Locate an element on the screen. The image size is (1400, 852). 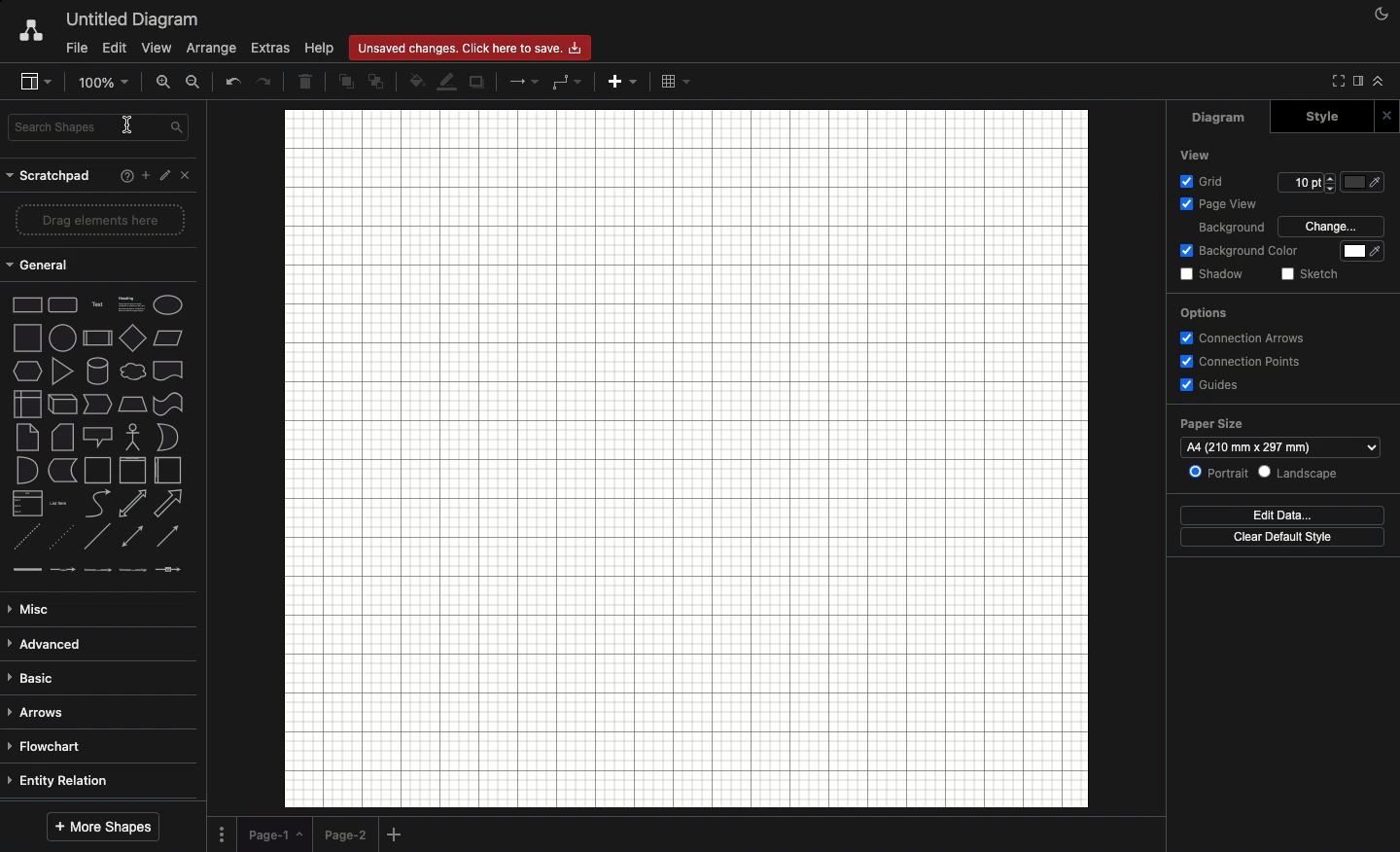
Help is located at coordinates (122, 177).